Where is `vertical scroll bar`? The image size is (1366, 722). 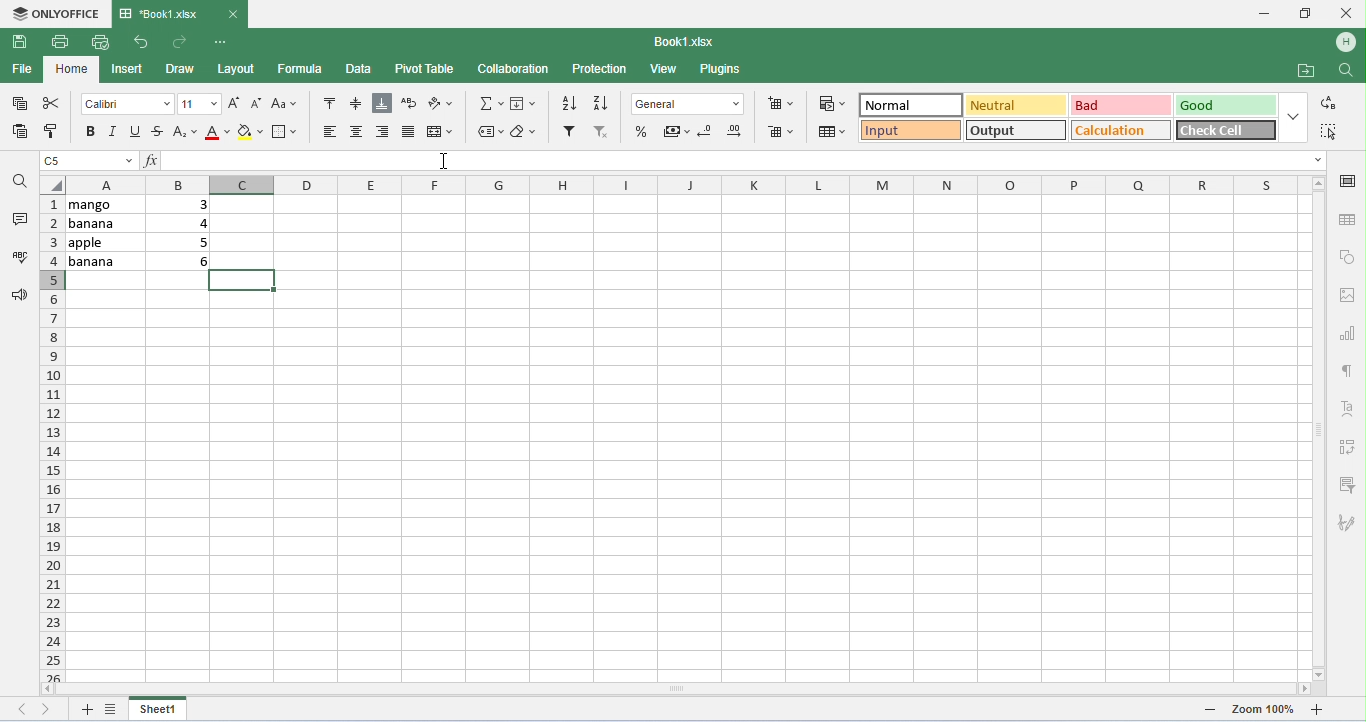
vertical scroll bar is located at coordinates (1318, 427).